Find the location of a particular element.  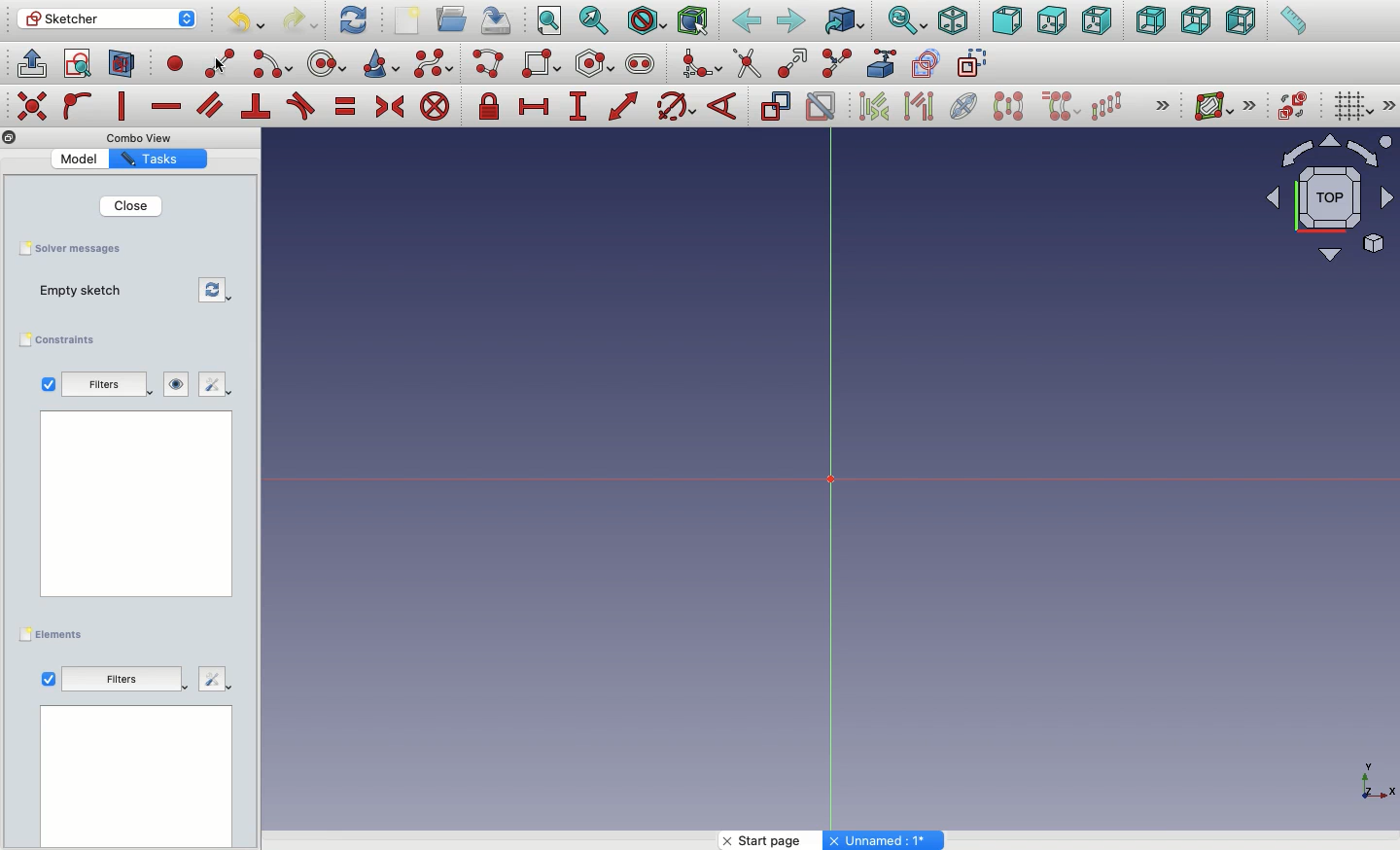

Forward is located at coordinates (791, 22).